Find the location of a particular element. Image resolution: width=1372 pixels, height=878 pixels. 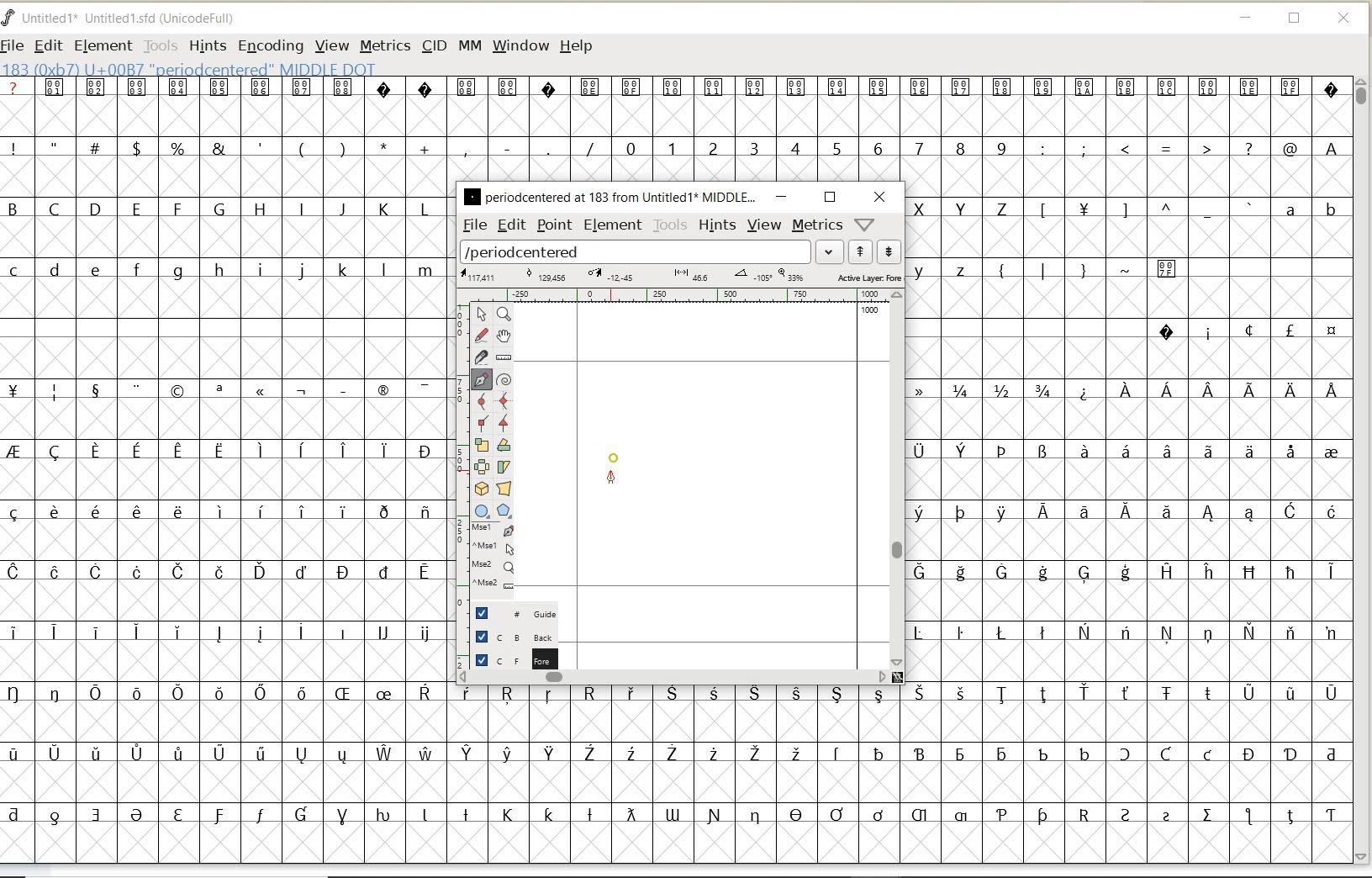

cut splines in two is located at coordinates (481, 357).